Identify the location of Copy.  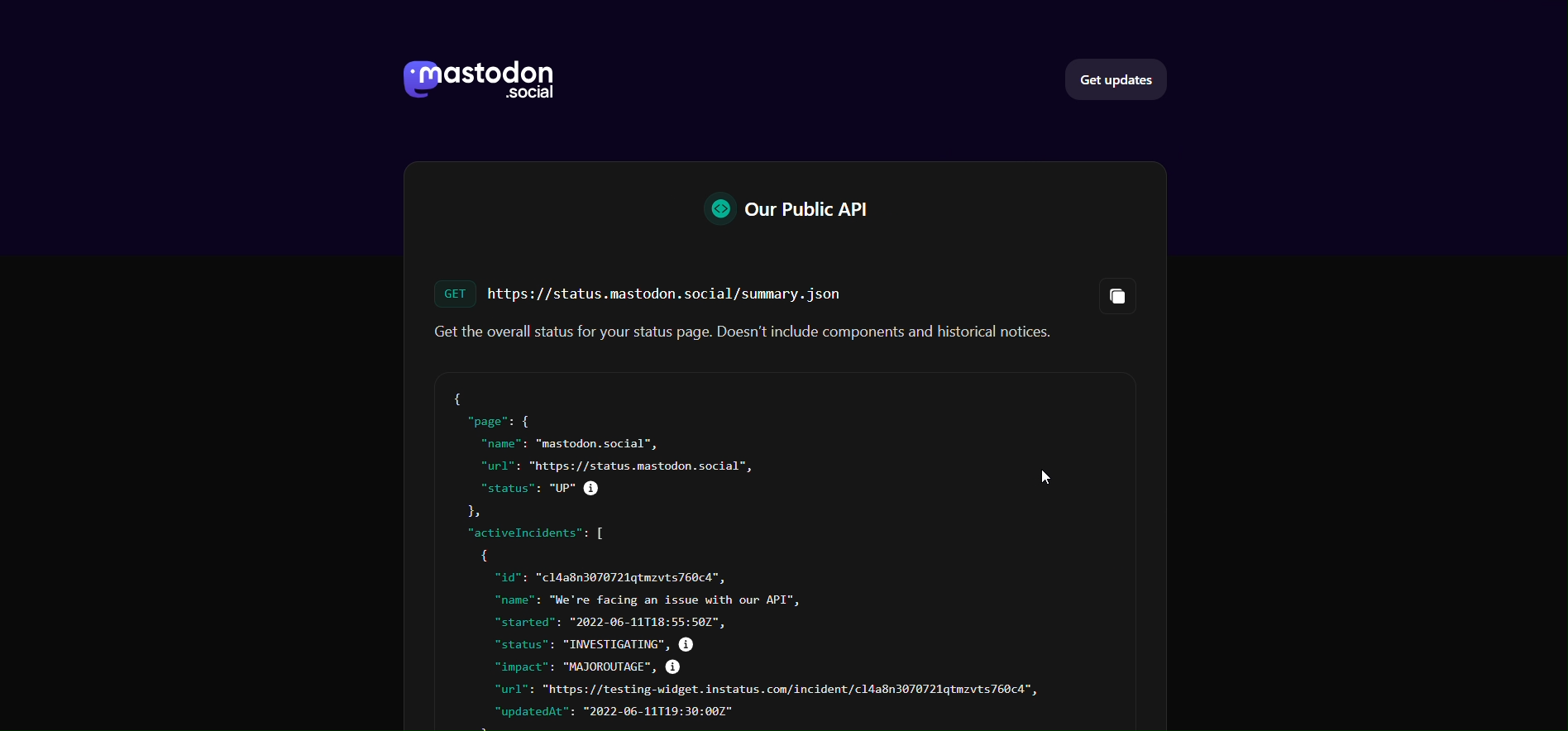
(1117, 297).